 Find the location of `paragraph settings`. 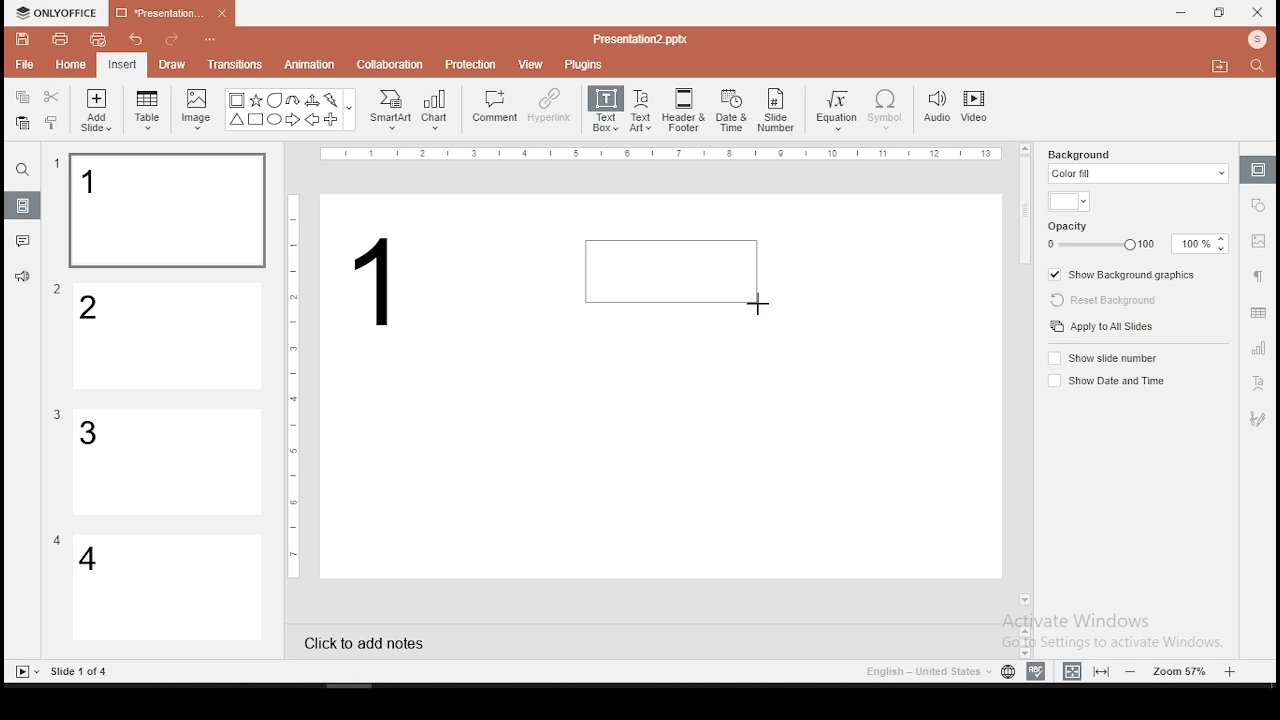

paragraph settings is located at coordinates (1256, 274).